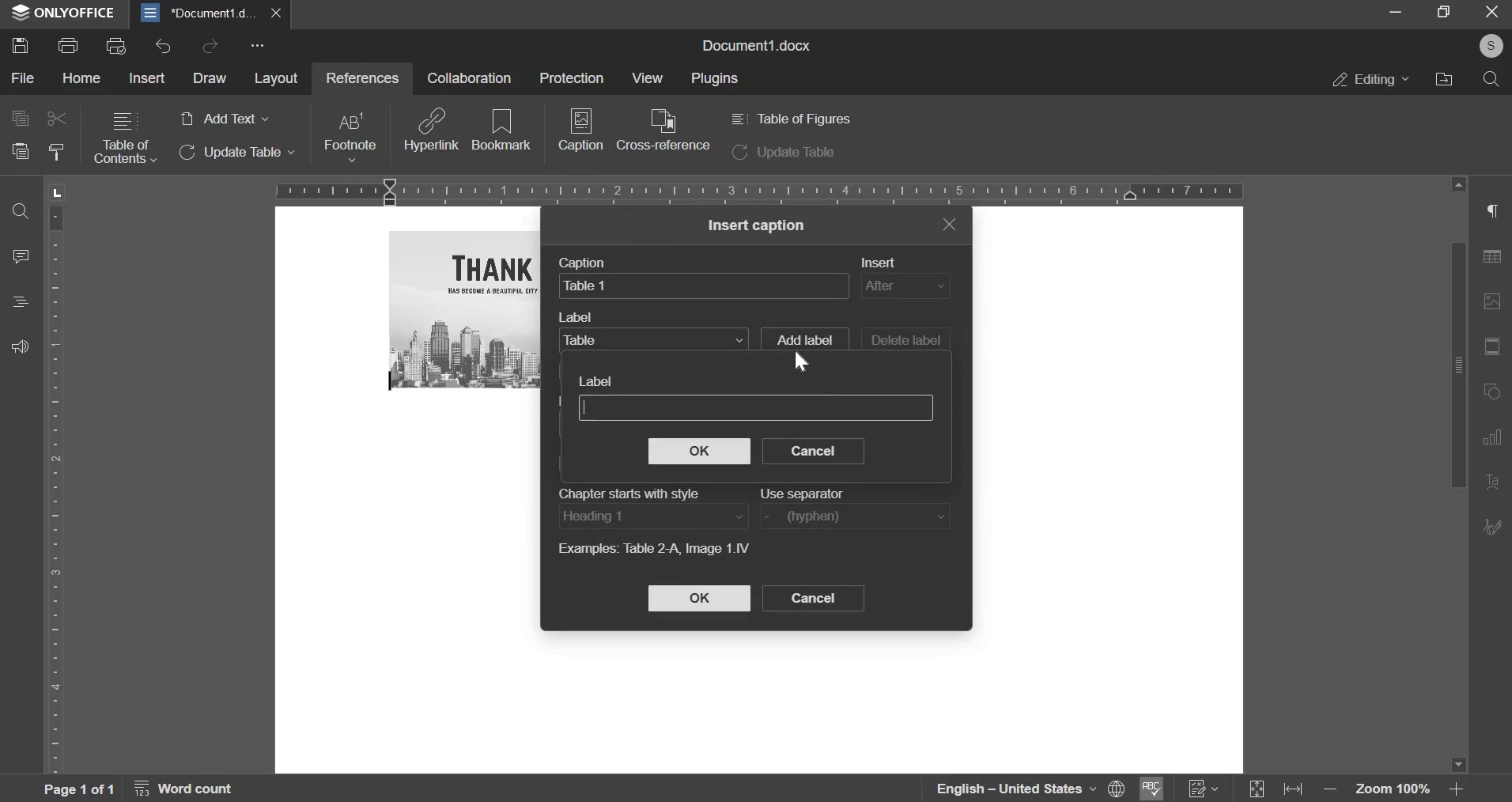 The height and width of the screenshot is (802, 1512). Describe the element at coordinates (652, 516) in the screenshot. I see `heading` at that location.